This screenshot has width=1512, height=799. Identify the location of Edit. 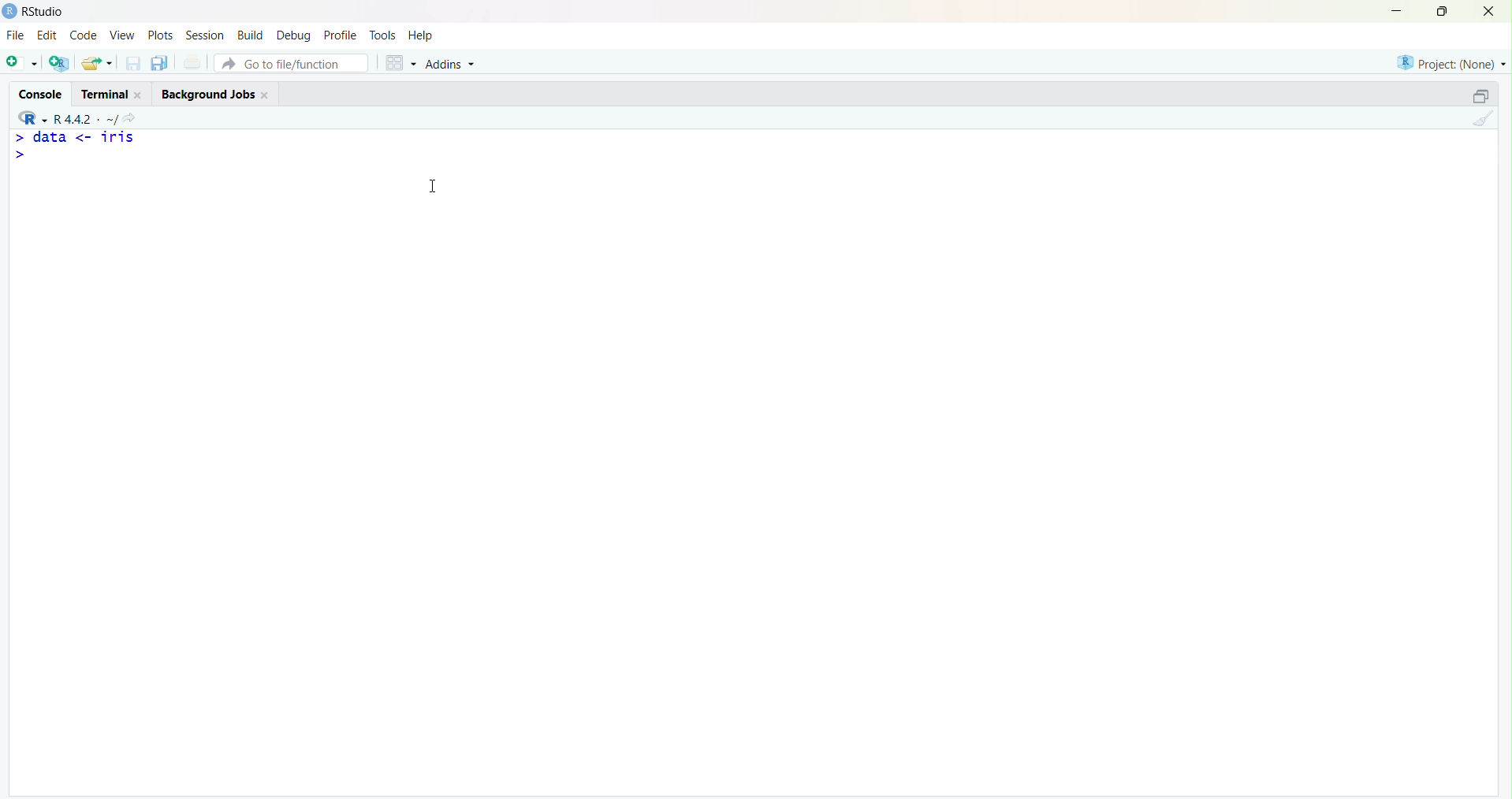
(47, 33).